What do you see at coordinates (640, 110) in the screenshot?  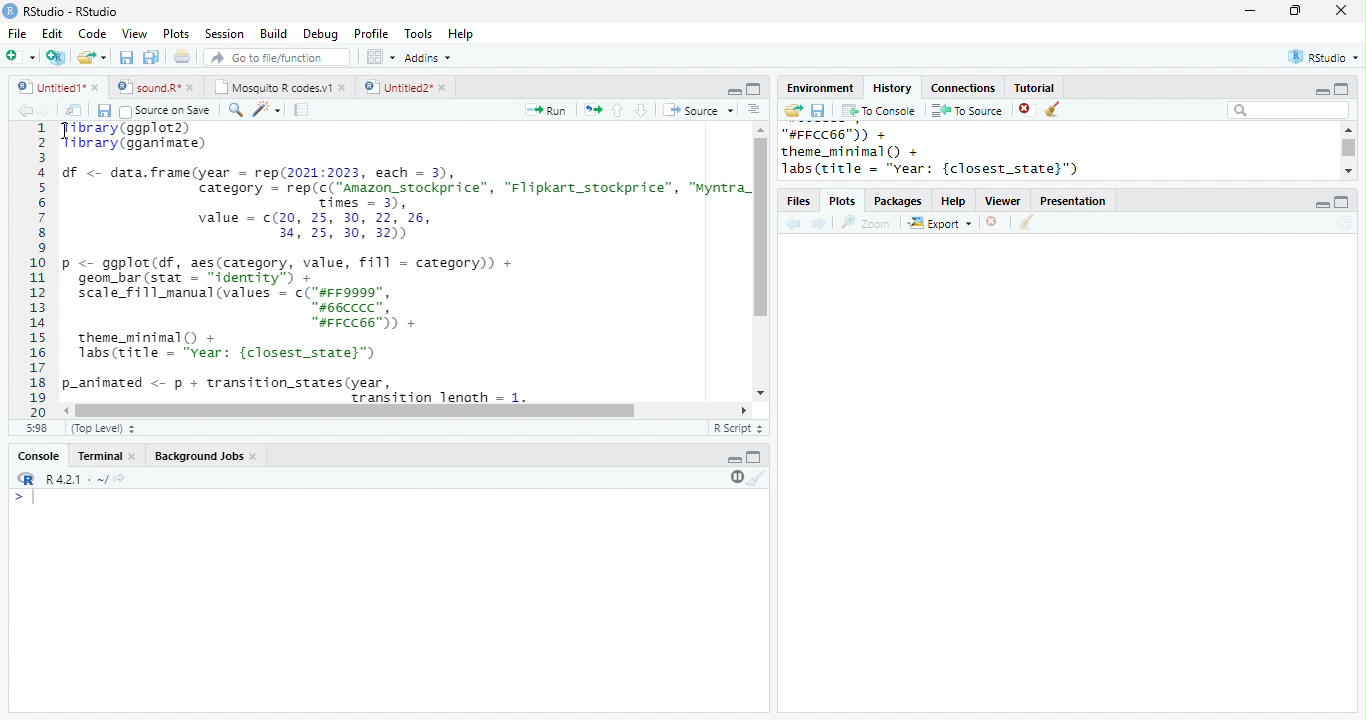 I see `down` at bounding box center [640, 110].